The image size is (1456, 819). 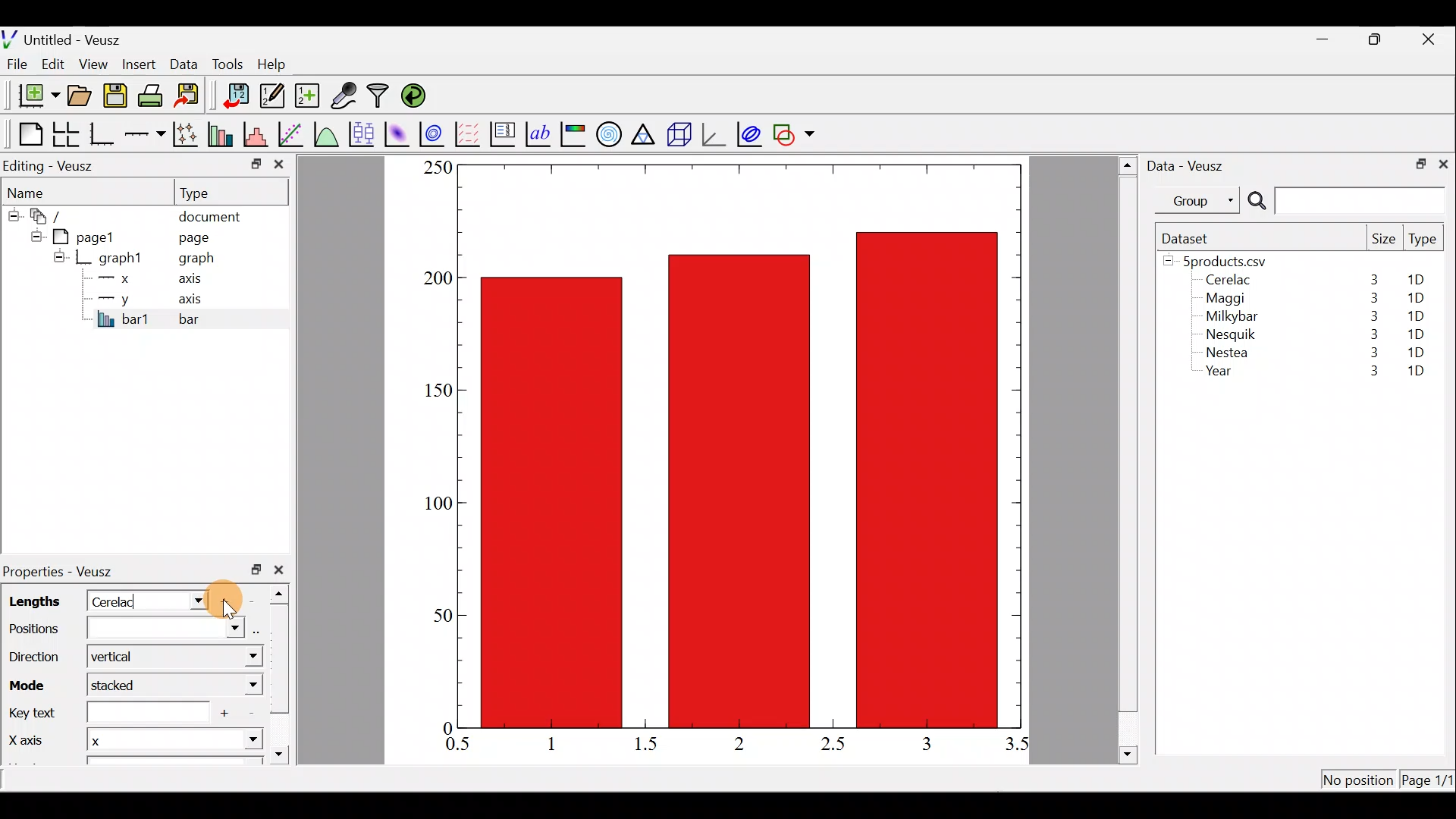 I want to click on Key text, so click(x=104, y=713).